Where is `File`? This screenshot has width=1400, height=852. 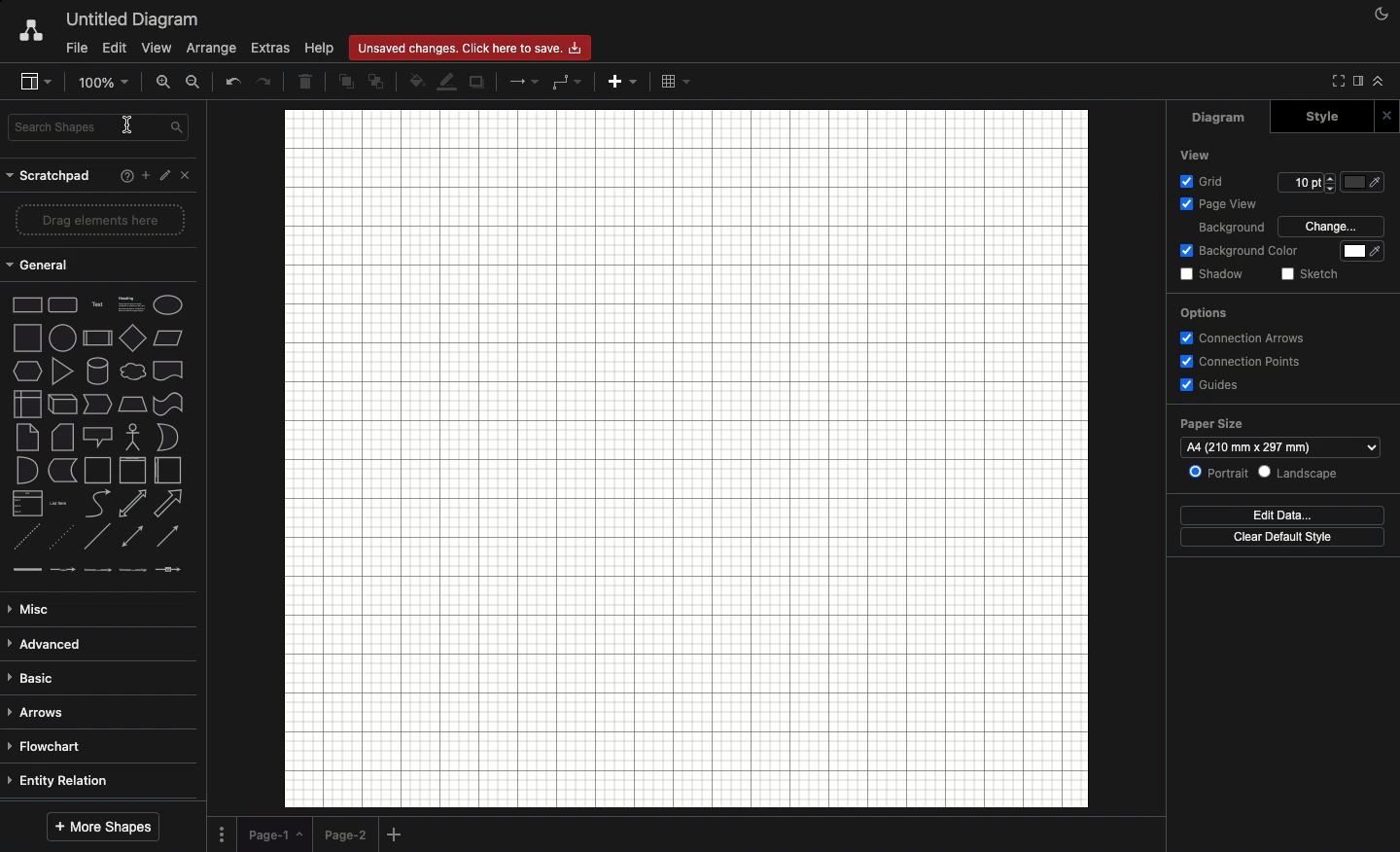 File is located at coordinates (74, 49).